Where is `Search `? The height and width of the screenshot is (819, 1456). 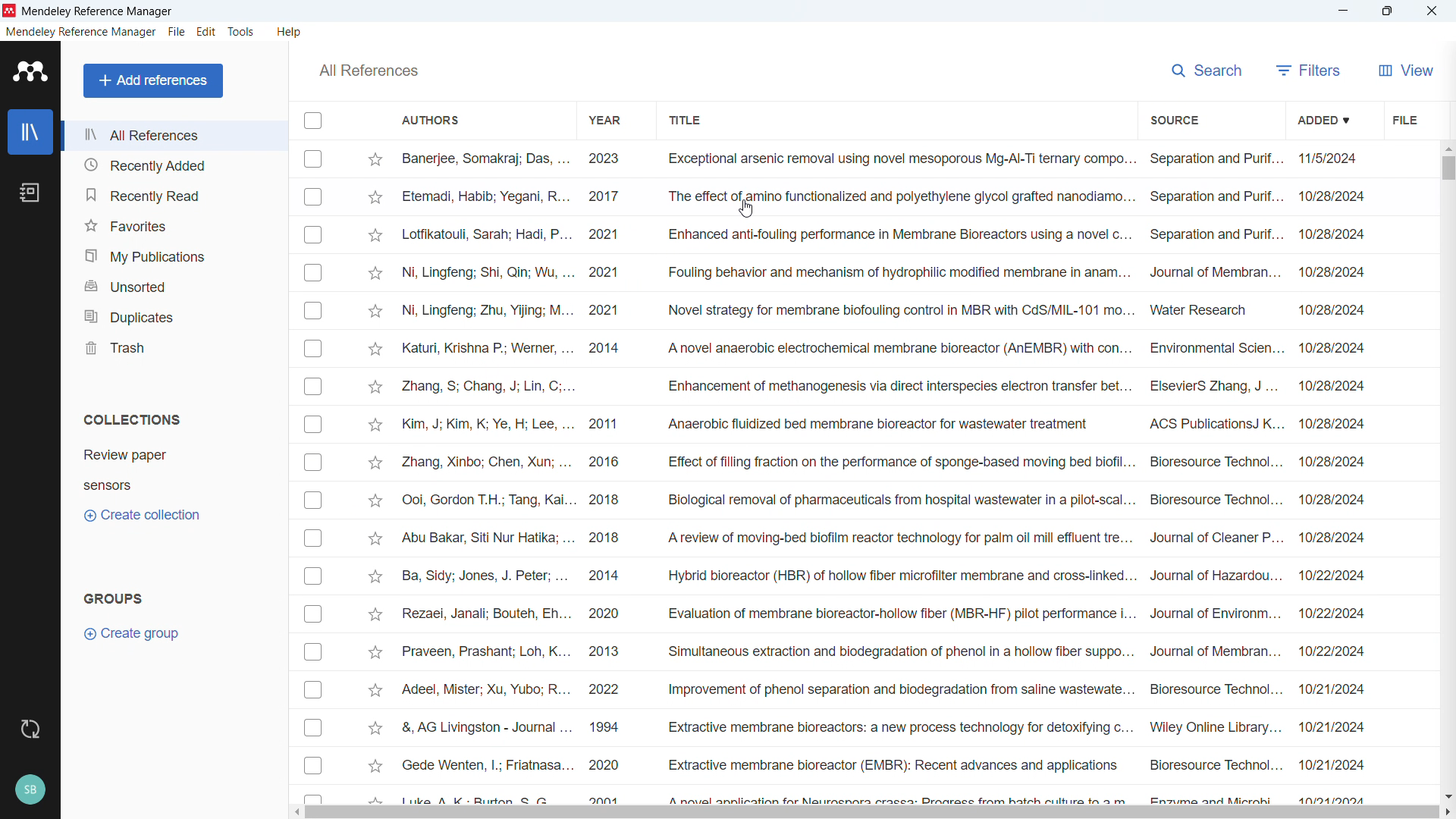 Search  is located at coordinates (1208, 71).